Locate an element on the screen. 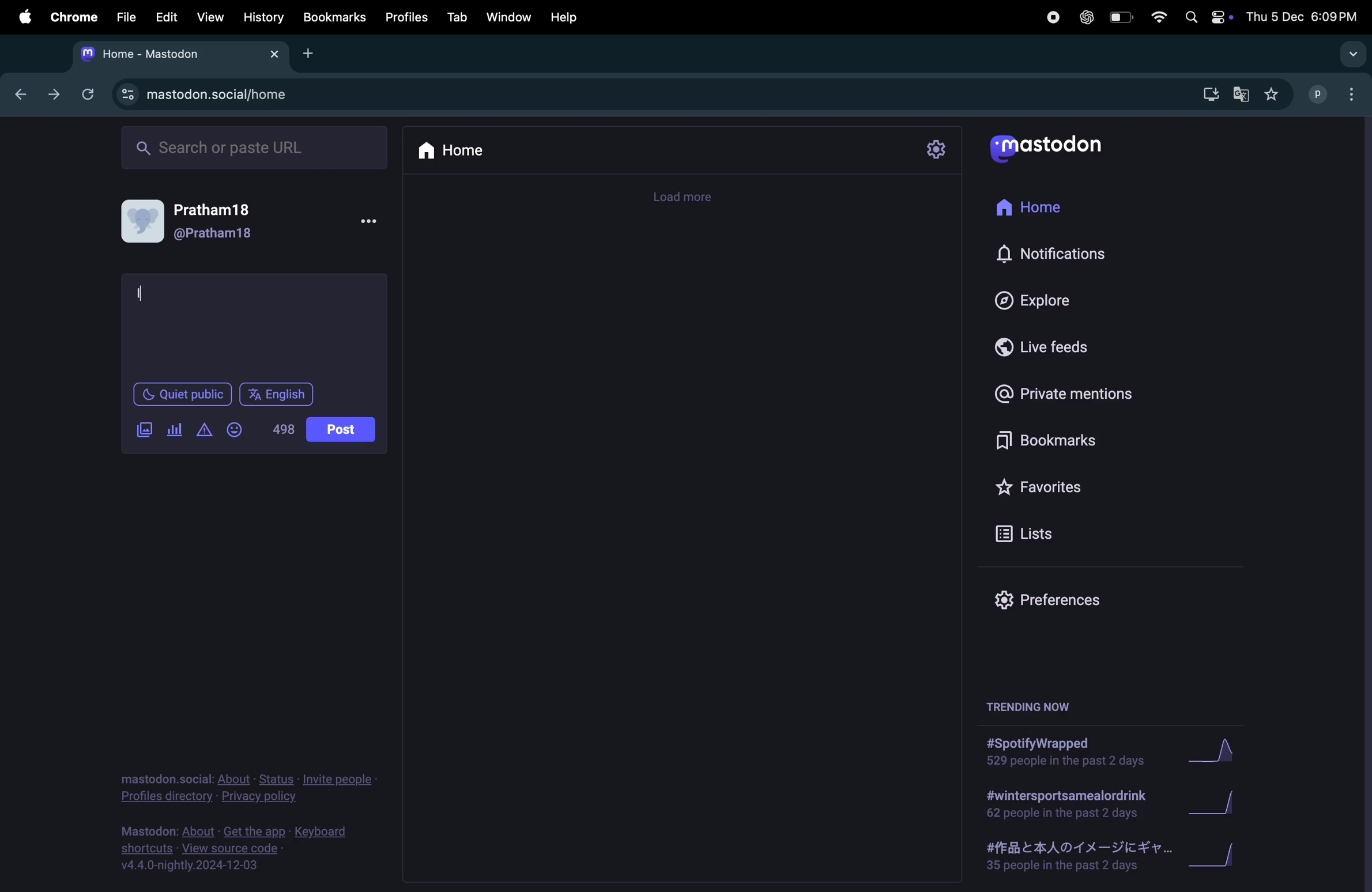 The width and height of the screenshot is (1372, 892). wifi is located at coordinates (1160, 18).